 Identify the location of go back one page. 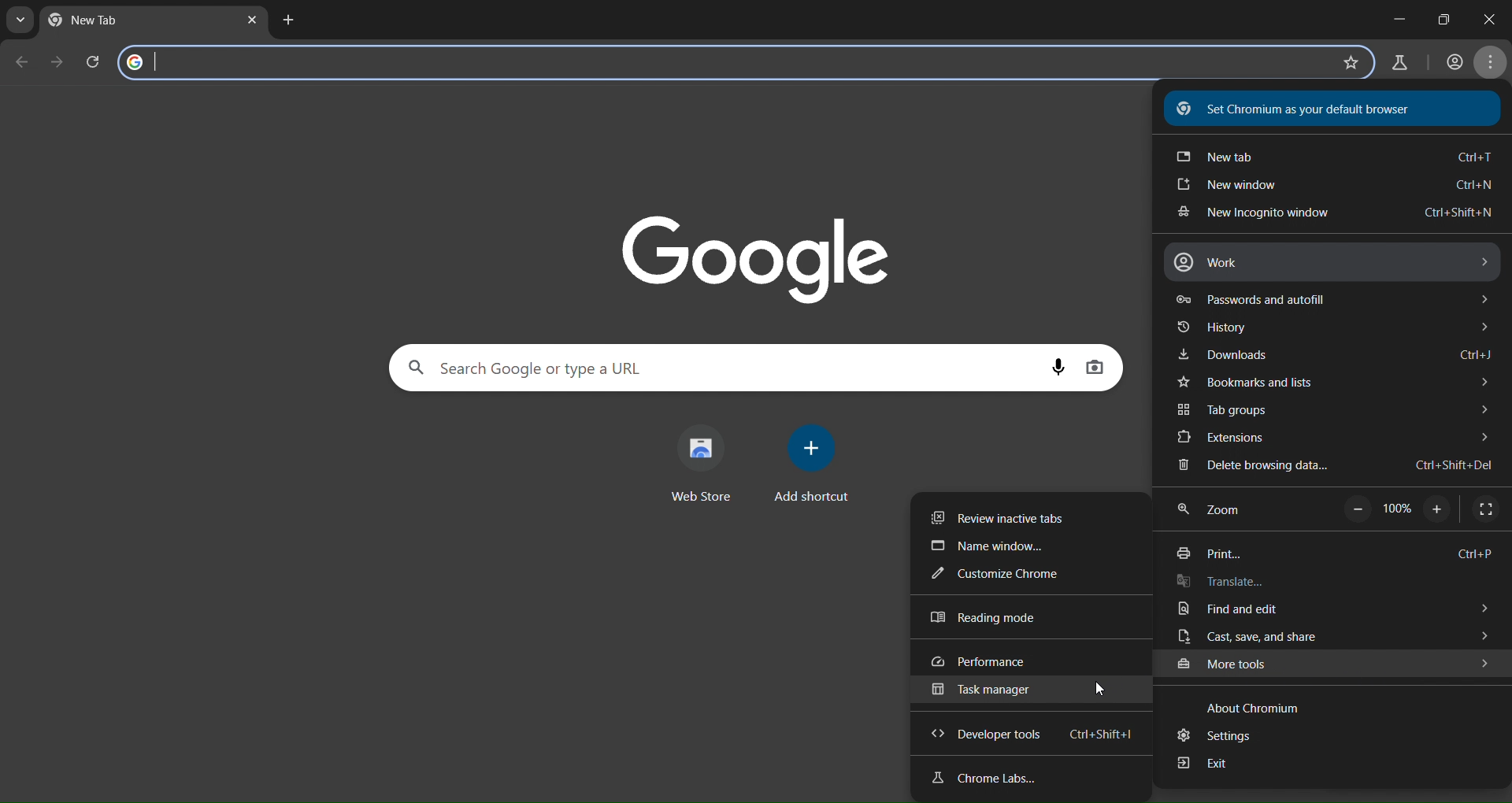
(22, 61).